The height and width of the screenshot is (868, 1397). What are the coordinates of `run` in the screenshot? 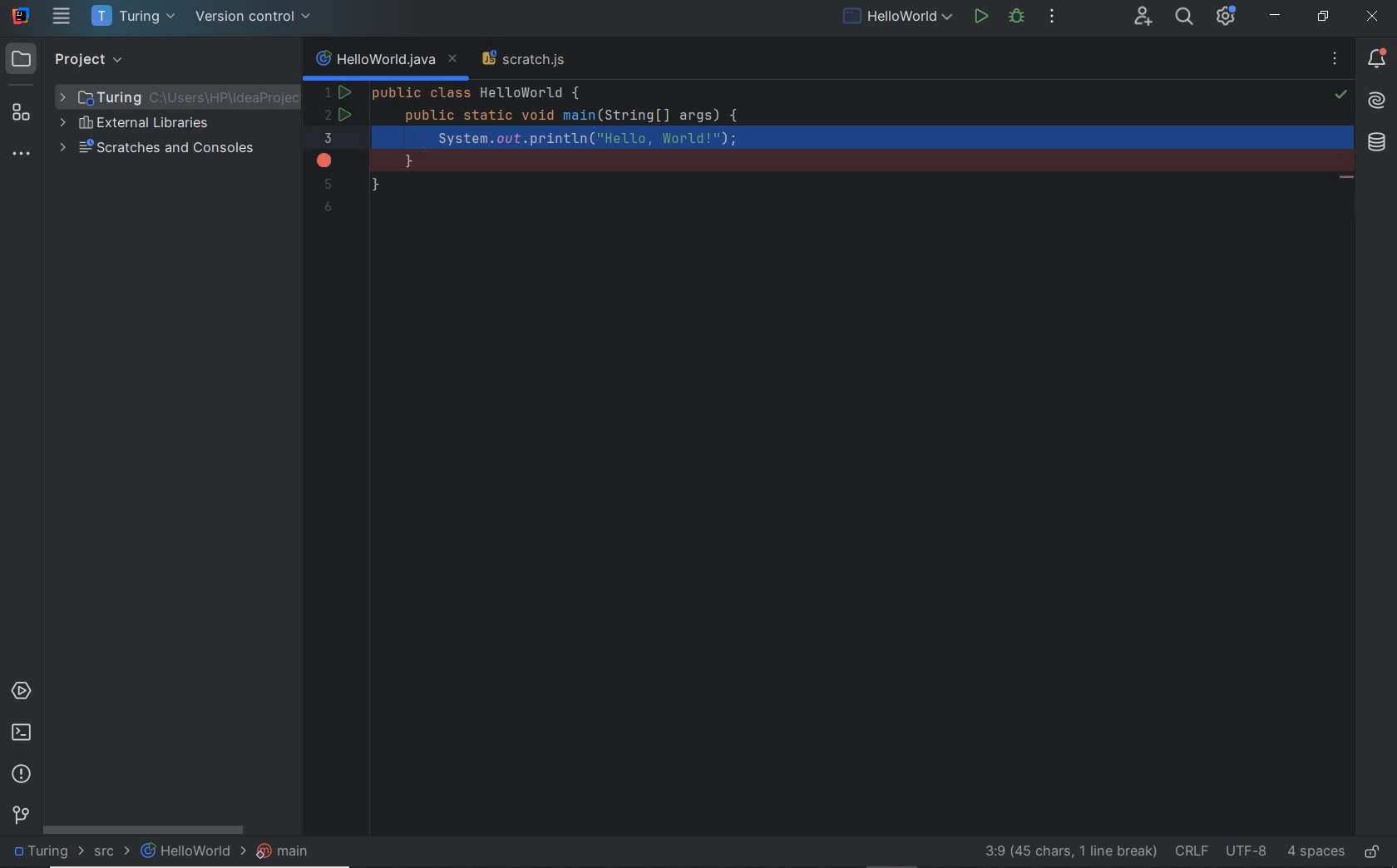 It's located at (980, 17).